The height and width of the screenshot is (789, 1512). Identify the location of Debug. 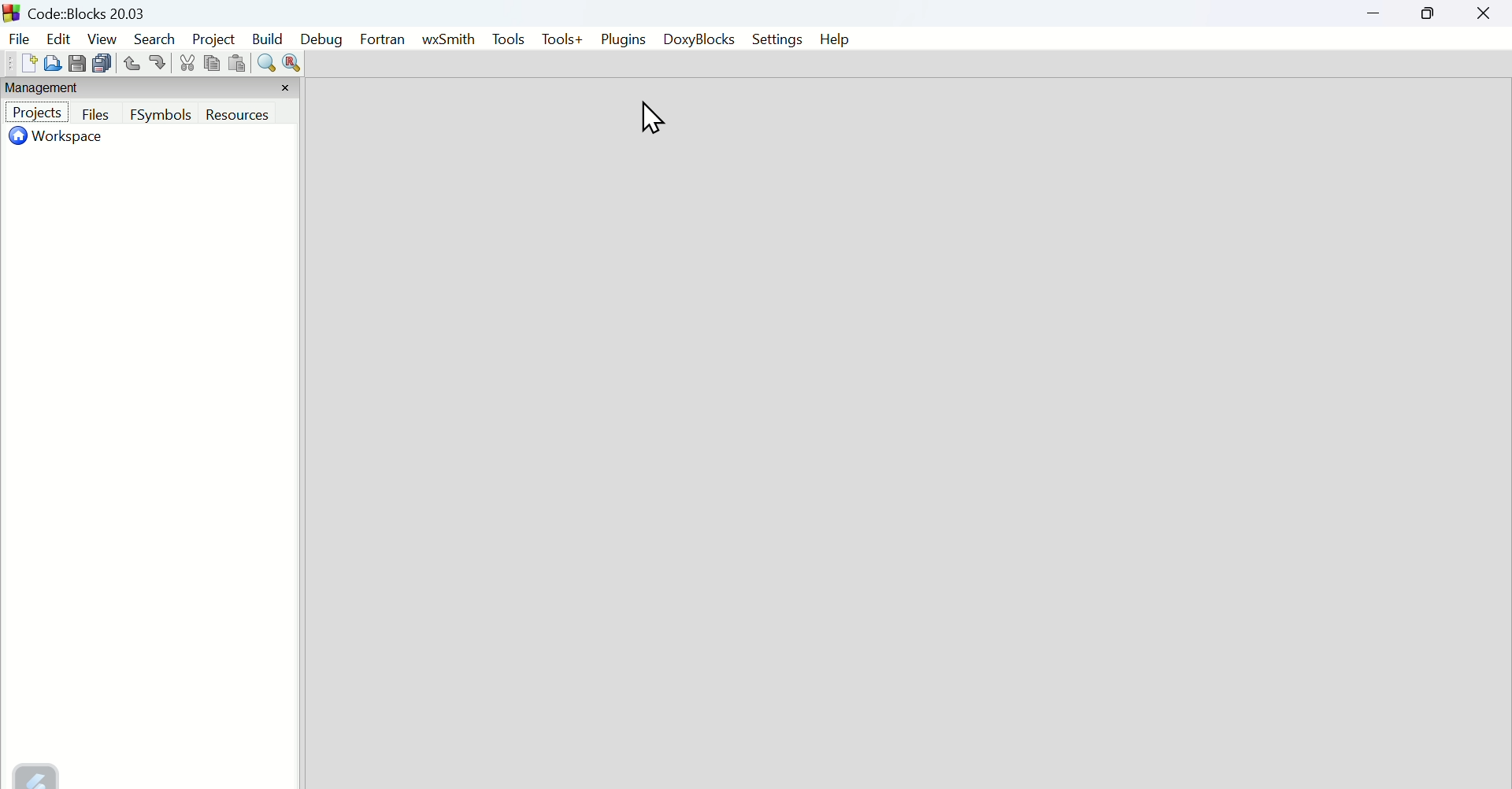
(321, 40).